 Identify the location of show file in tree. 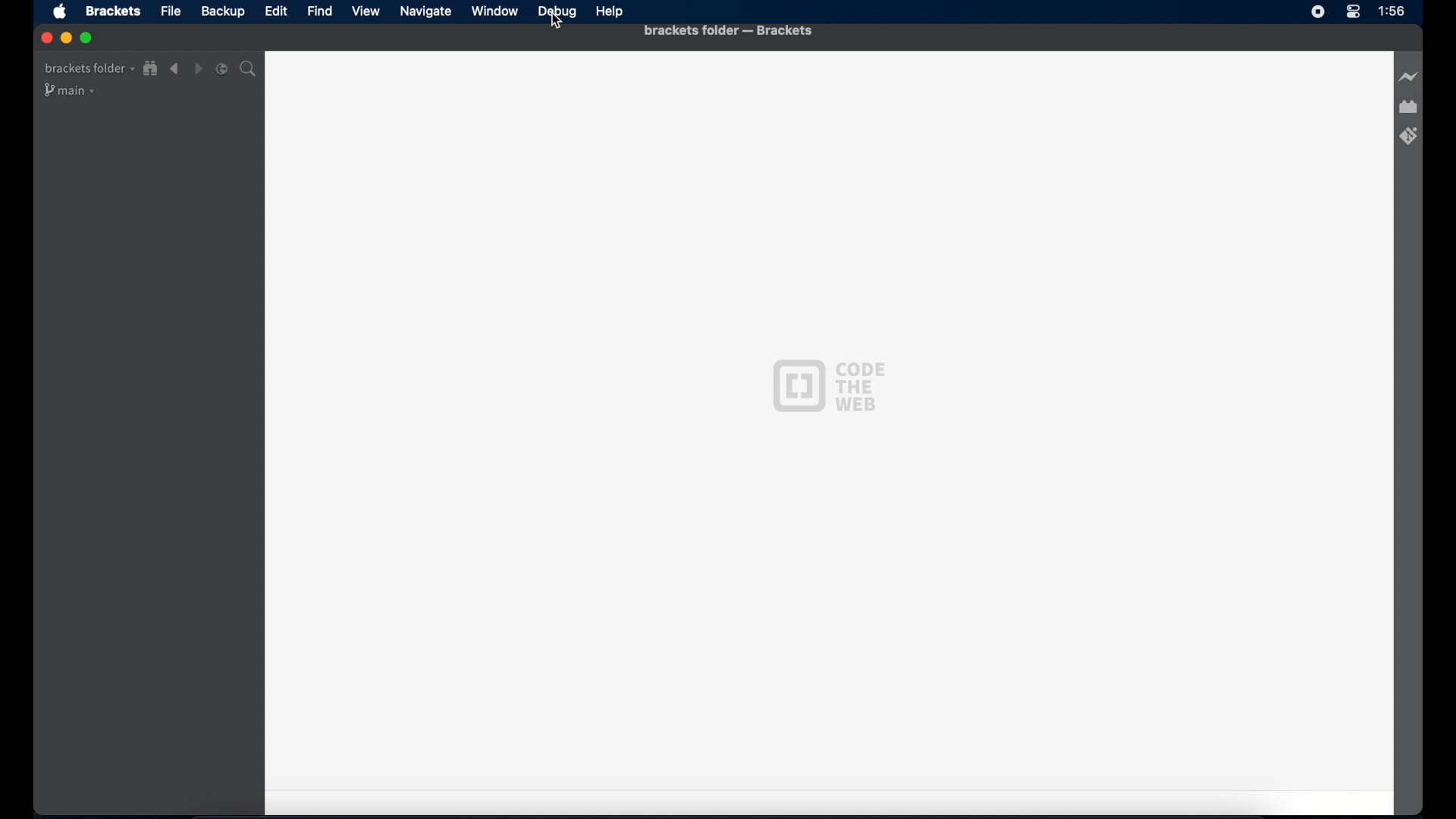
(151, 69).